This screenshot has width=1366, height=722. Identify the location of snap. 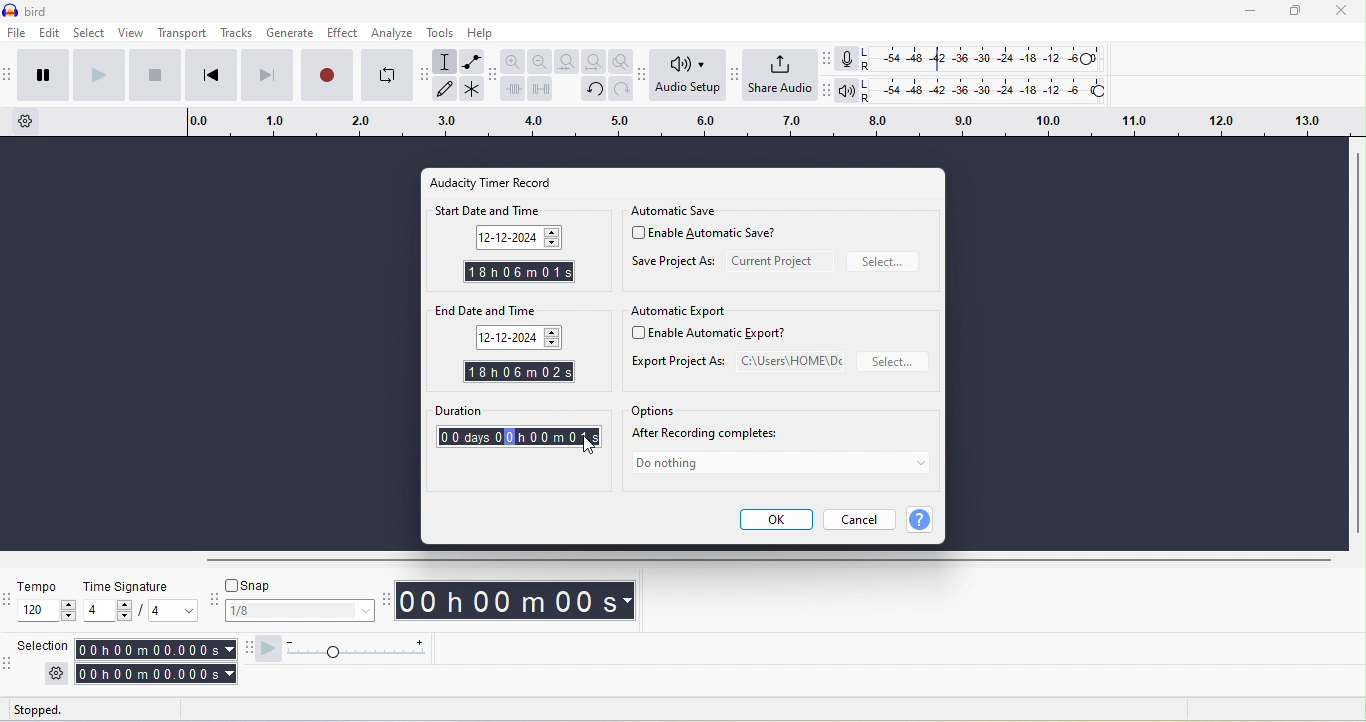
(298, 587).